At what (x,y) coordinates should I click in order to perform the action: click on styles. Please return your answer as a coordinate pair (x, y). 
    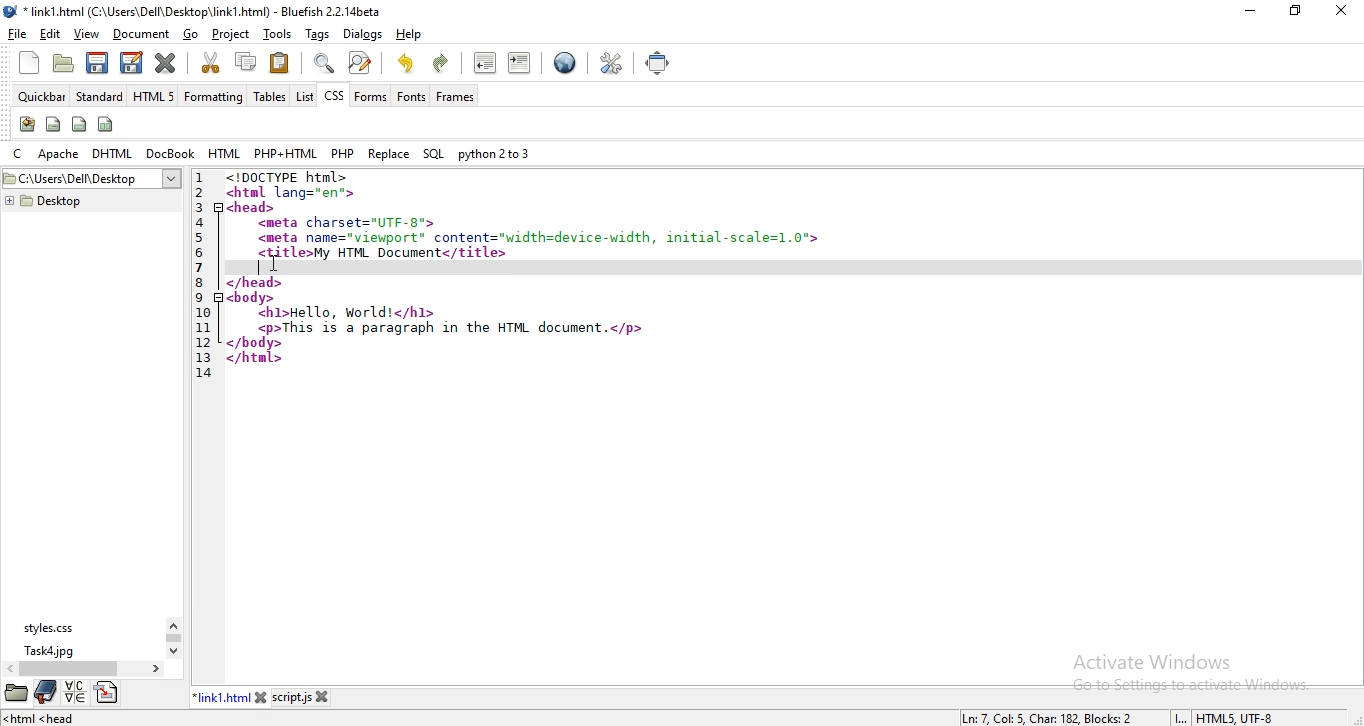
    Looking at the image, I should click on (54, 626).